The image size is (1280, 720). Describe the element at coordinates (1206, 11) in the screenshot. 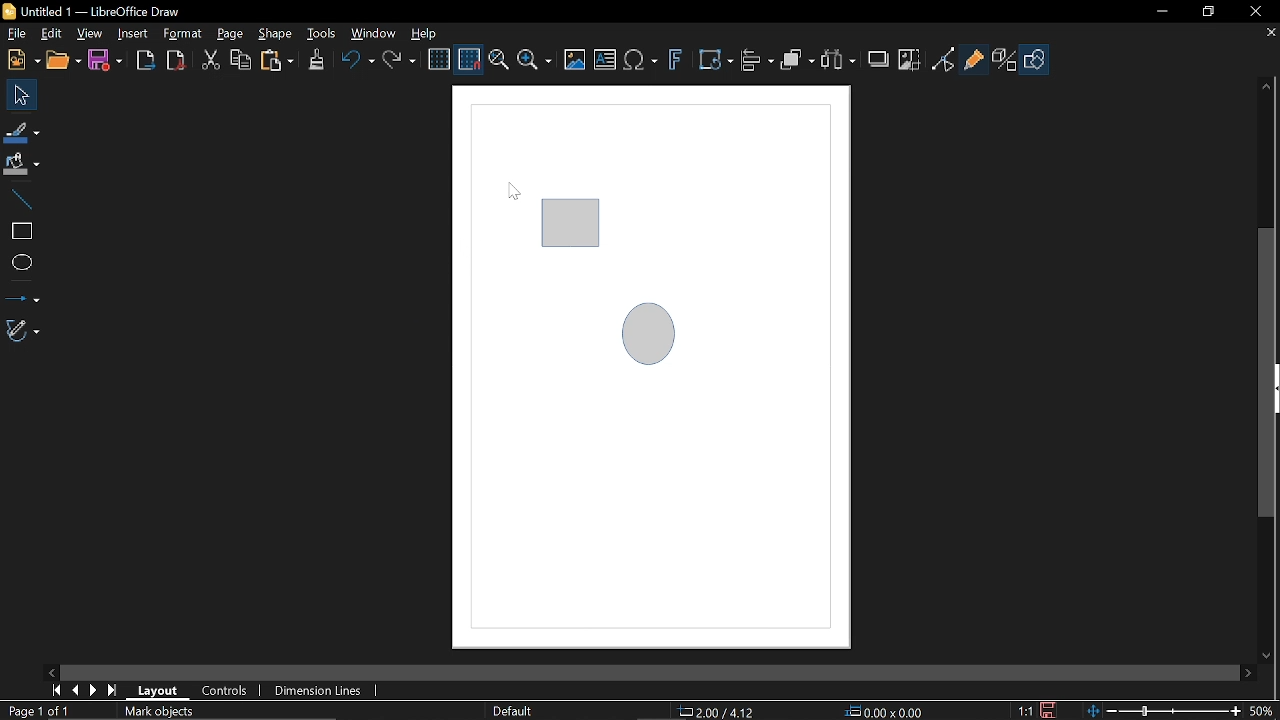

I see `Restore down` at that location.